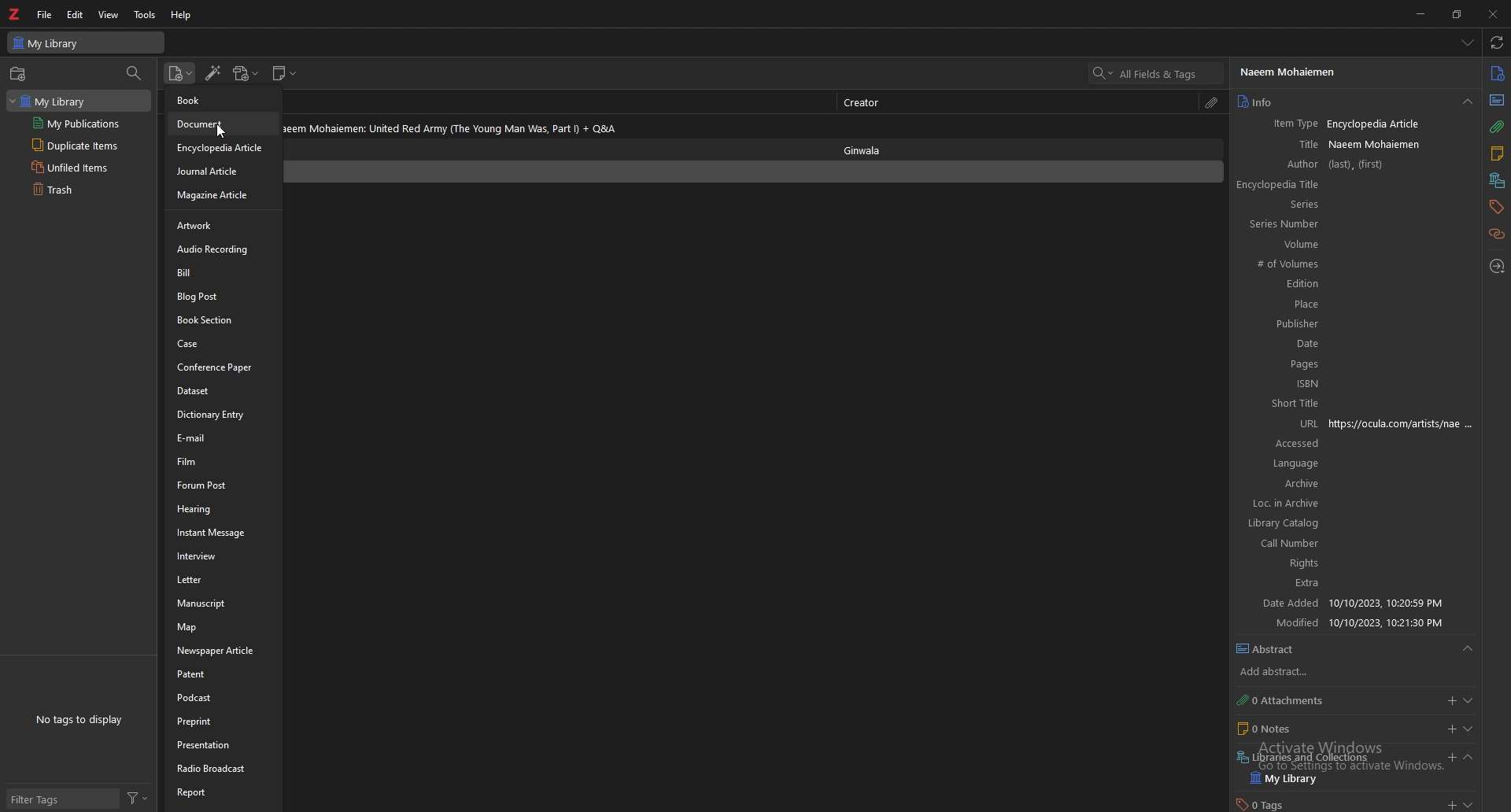 The height and width of the screenshot is (812, 1511). What do you see at coordinates (135, 75) in the screenshot?
I see `filter collection` at bounding box center [135, 75].